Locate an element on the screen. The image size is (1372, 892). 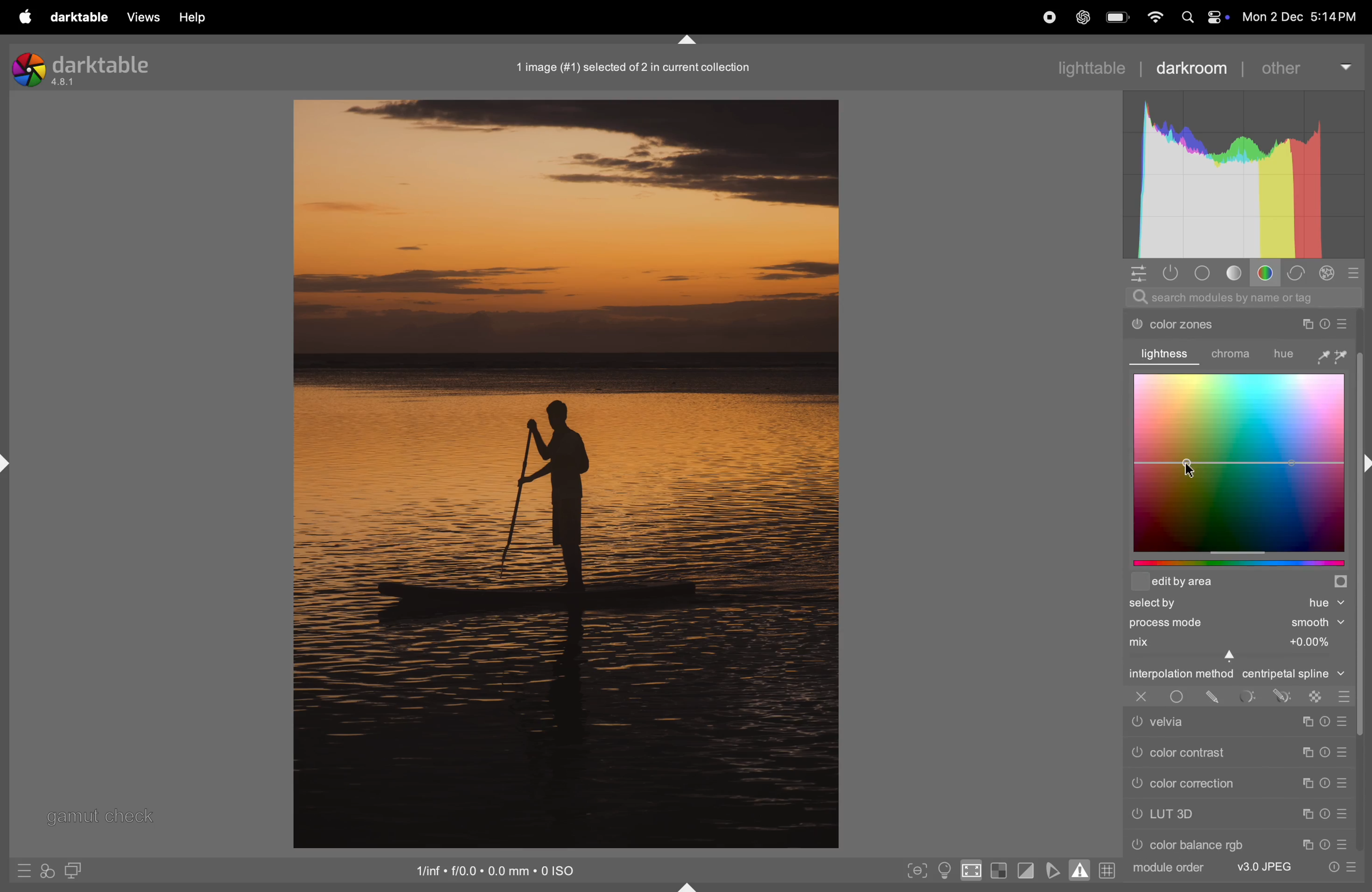
lightness is located at coordinates (1167, 353).